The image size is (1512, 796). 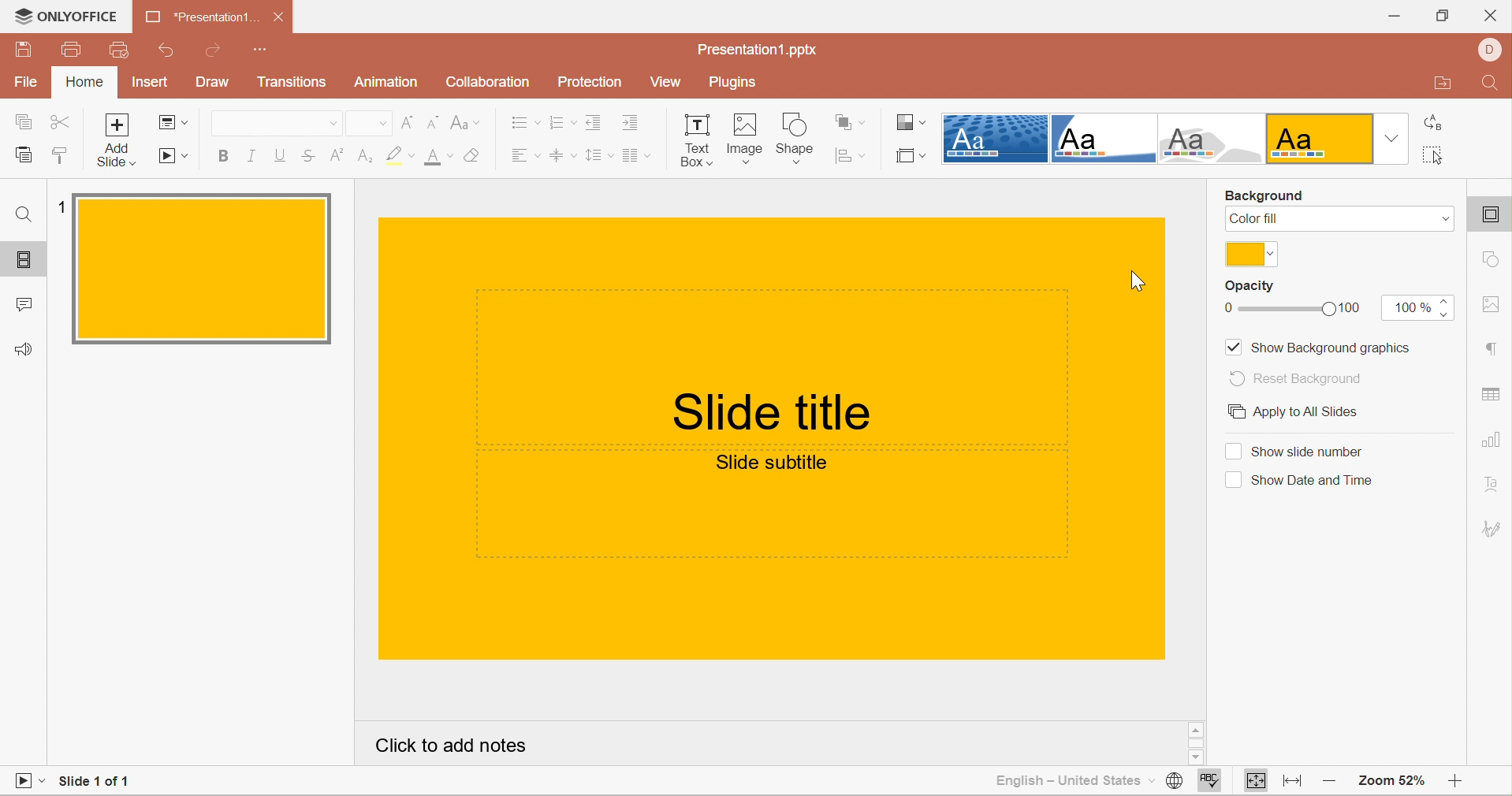 I want to click on Slide 1, so click(x=208, y=267).